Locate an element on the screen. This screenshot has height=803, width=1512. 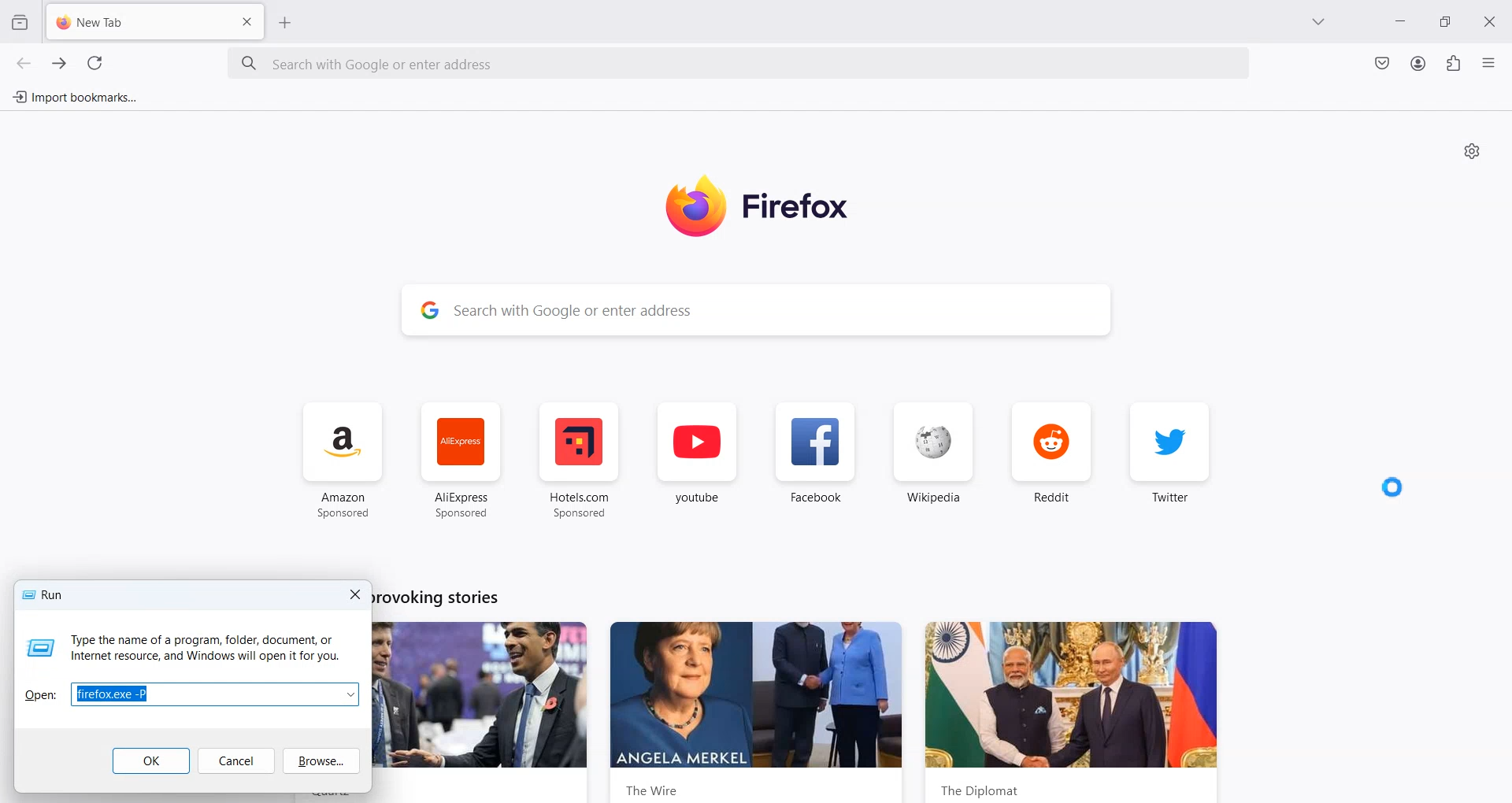
Wikipedia is located at coordinates (932, 460).